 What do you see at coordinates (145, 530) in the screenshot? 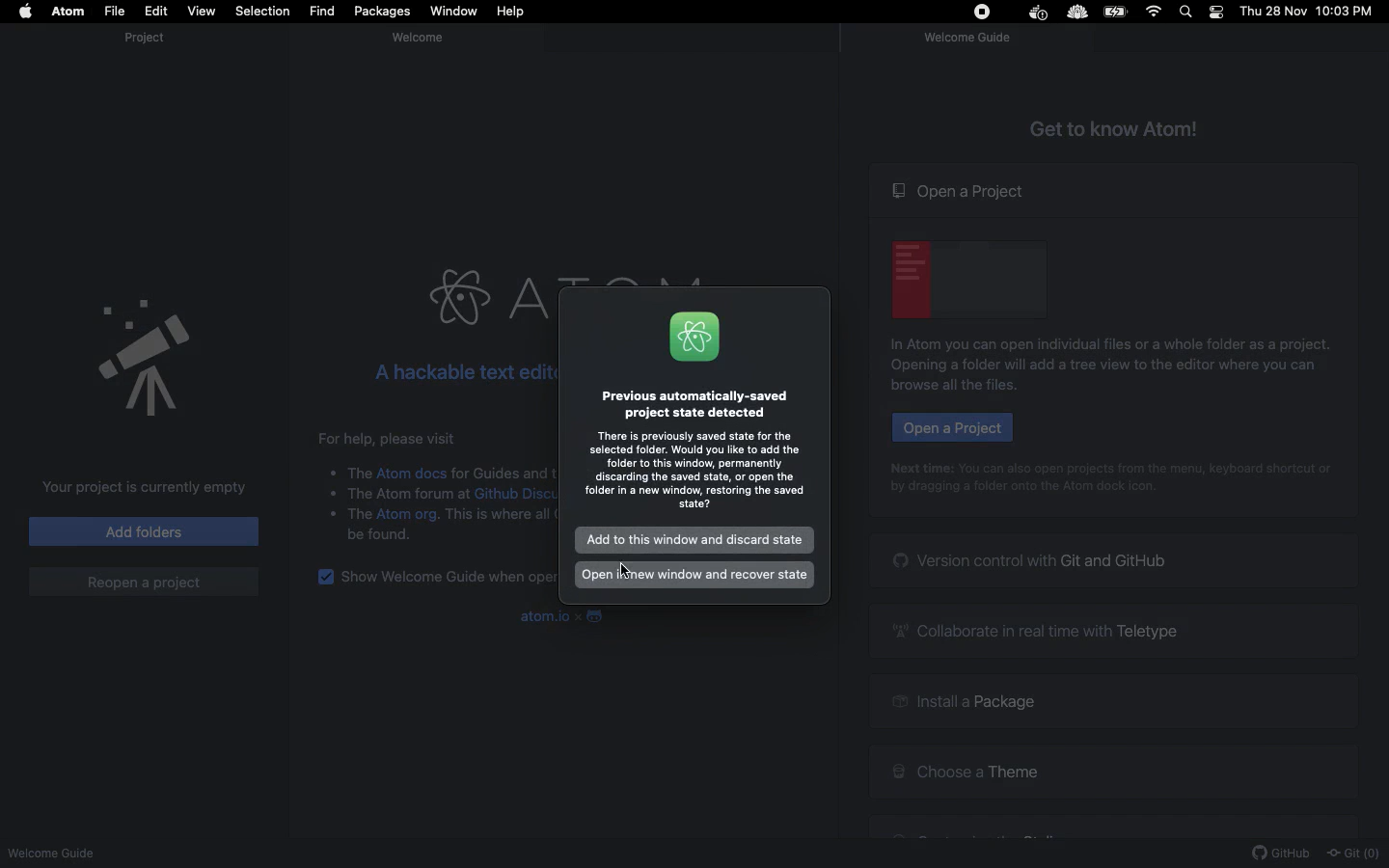
I see `Add folders` at bounding box center [145, 530].